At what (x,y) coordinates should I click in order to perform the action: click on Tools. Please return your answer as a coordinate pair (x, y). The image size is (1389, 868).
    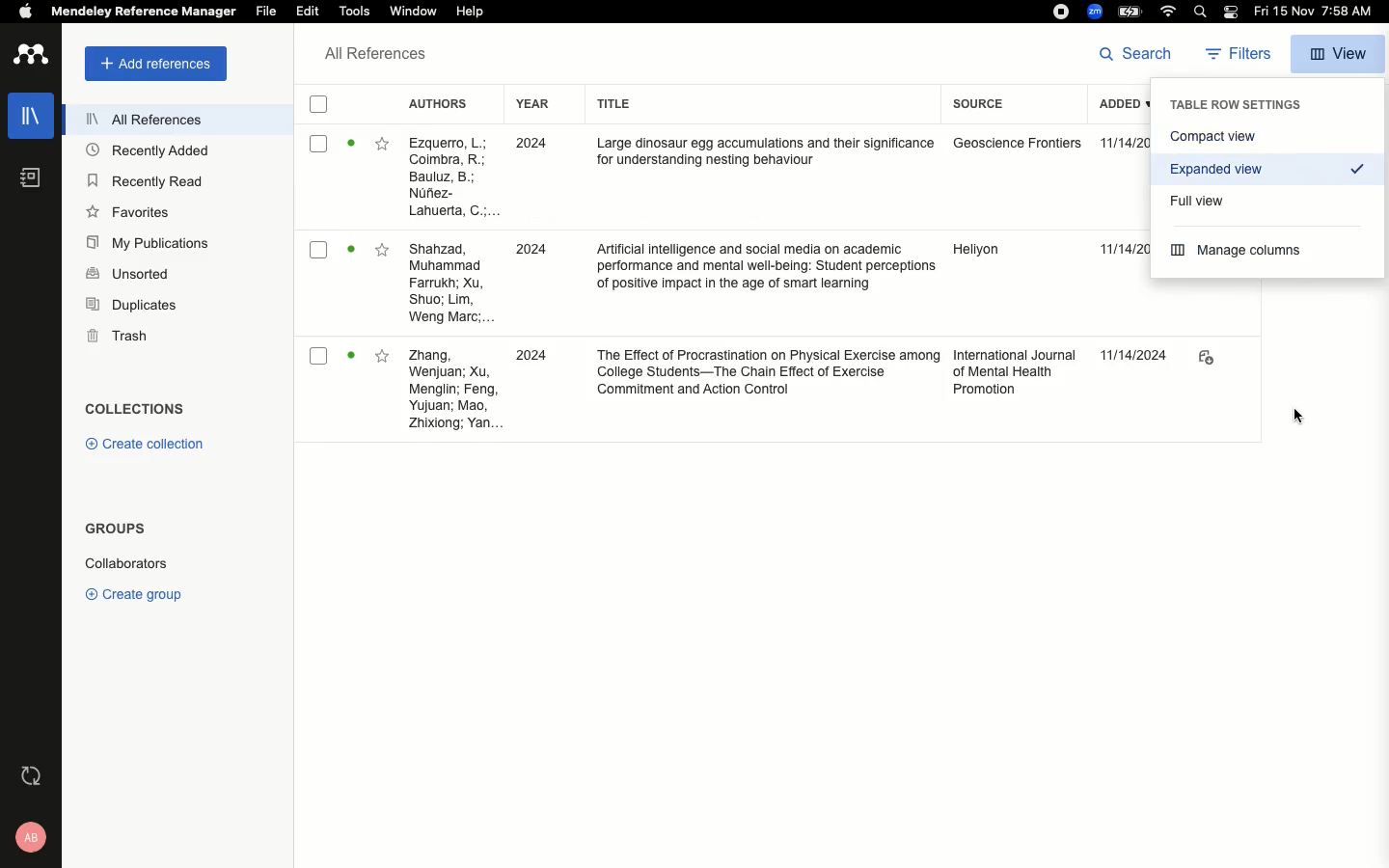
    Looking at the image, I should click on (356, 13).